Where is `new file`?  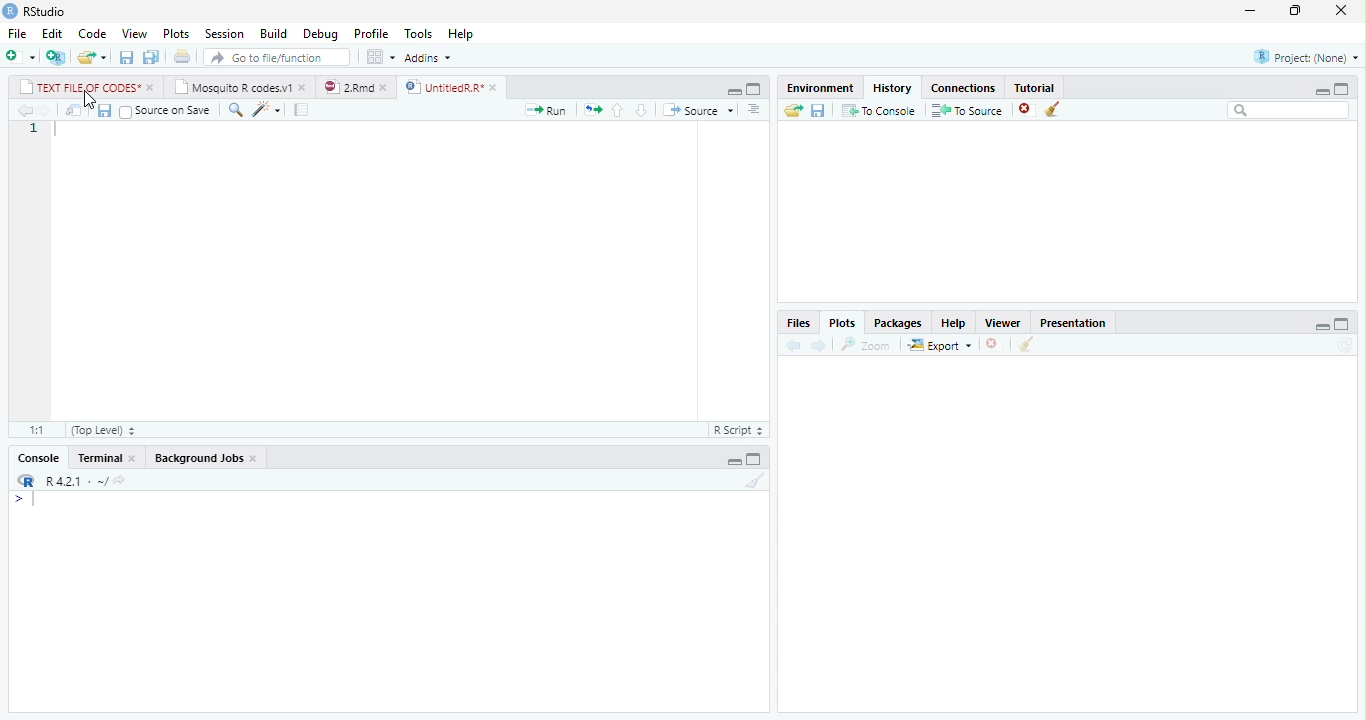
new file is located at coordinates (21, 56).